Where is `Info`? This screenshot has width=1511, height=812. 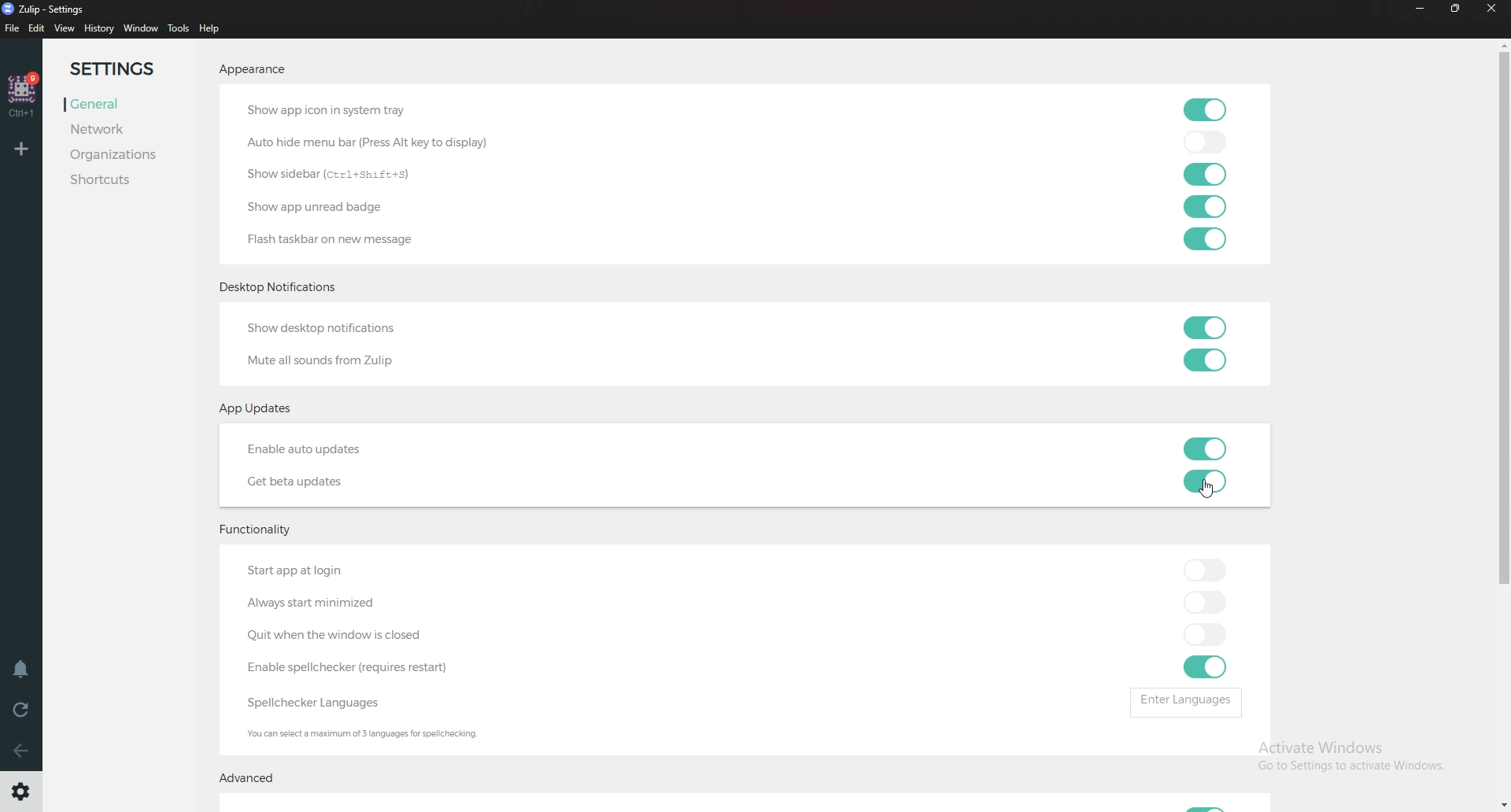 Info is located at coordinates (401, 732).